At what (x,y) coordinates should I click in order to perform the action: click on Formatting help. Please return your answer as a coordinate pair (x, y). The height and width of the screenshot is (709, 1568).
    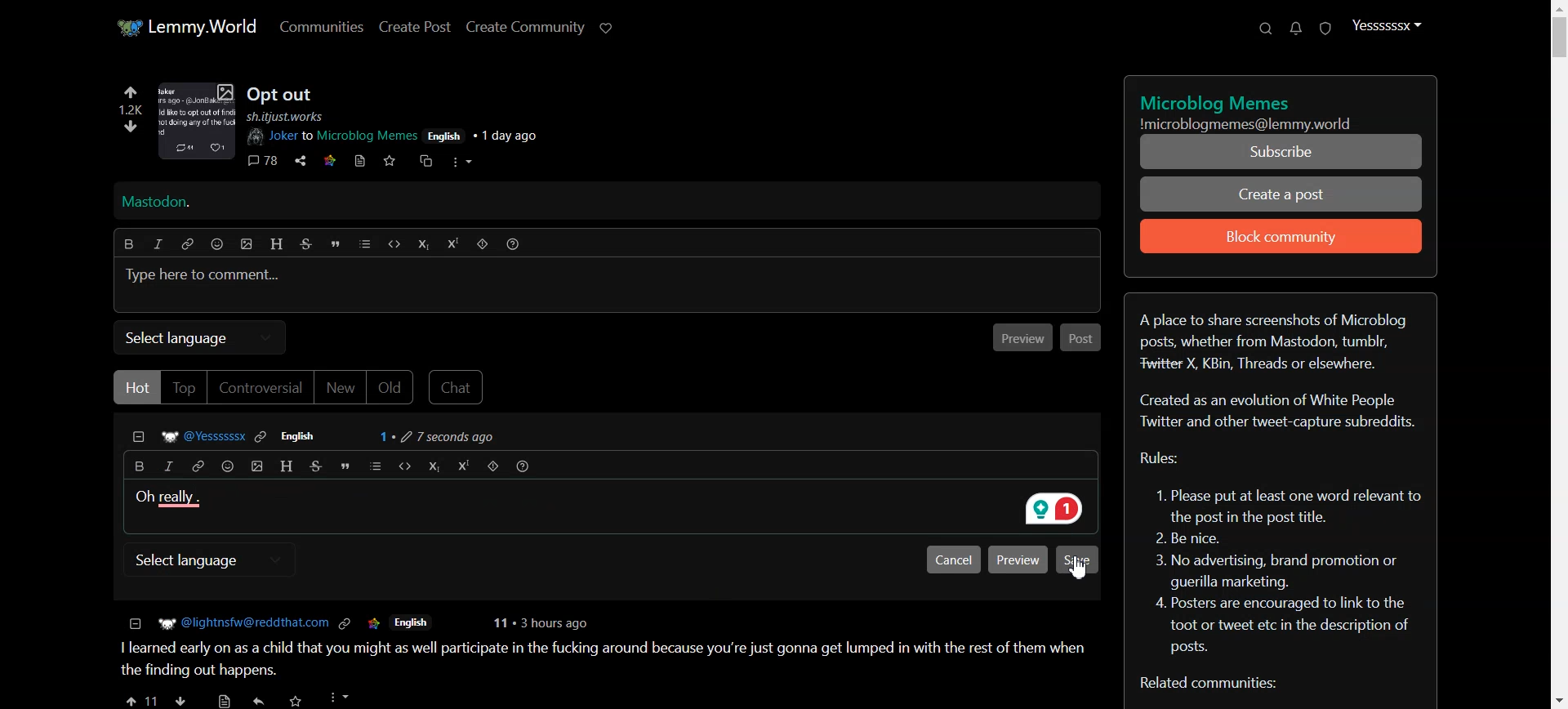
    Looking at the image, I should click on (523, 467).